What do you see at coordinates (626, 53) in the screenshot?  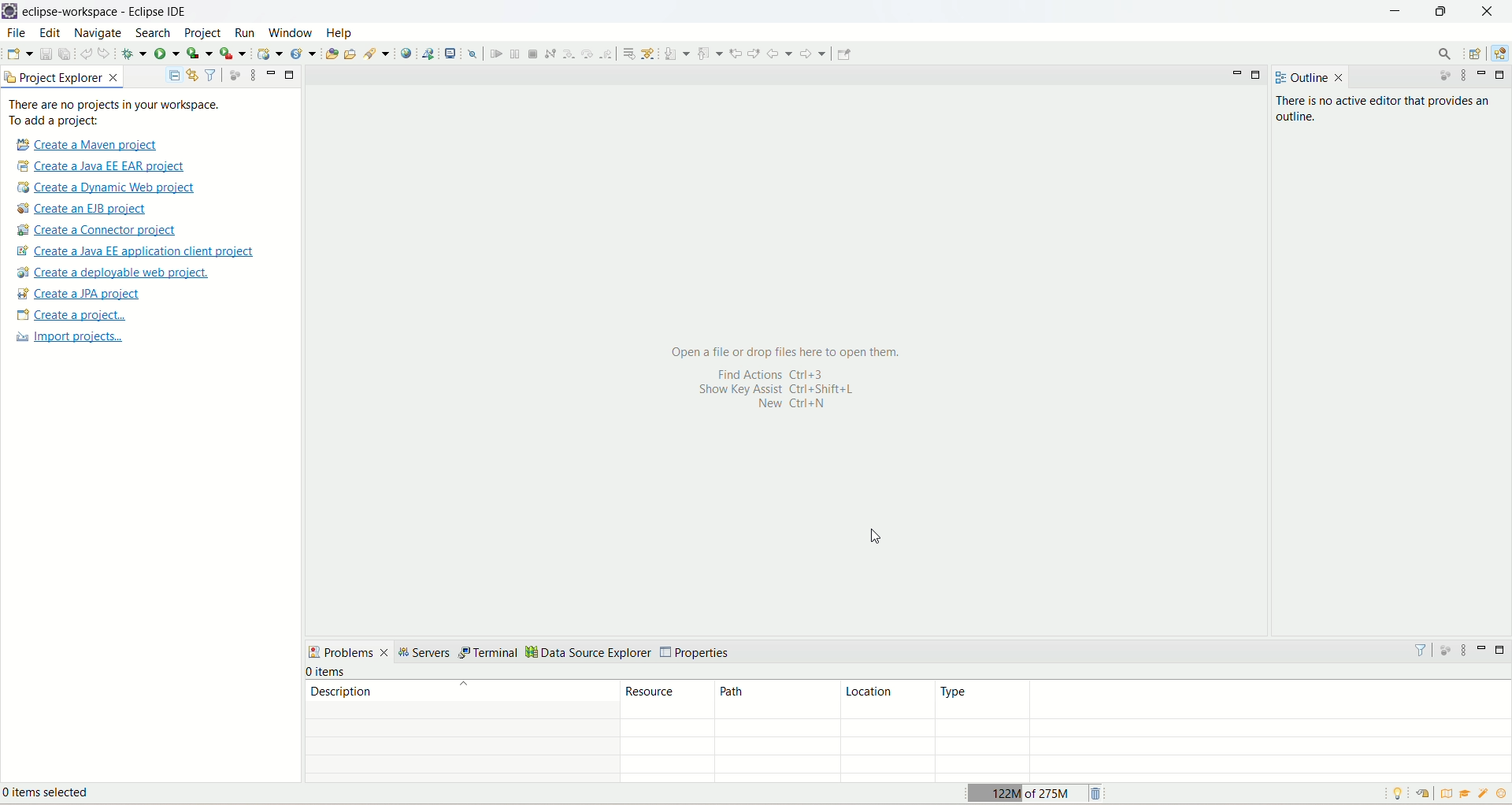 I see `drop to frames` at bounding box center [626, 53].